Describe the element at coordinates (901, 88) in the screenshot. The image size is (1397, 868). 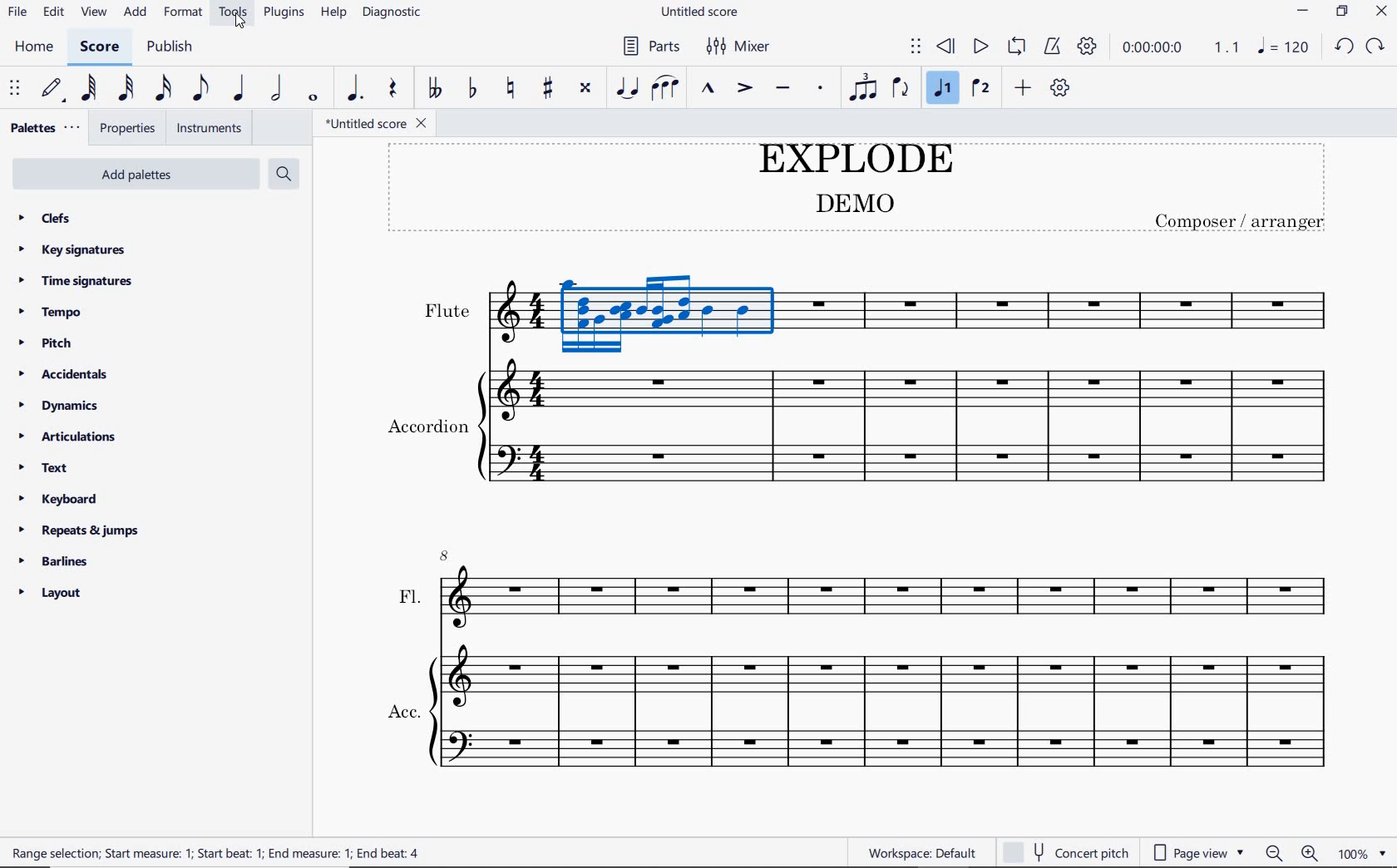
I see `flip direction` at that location.